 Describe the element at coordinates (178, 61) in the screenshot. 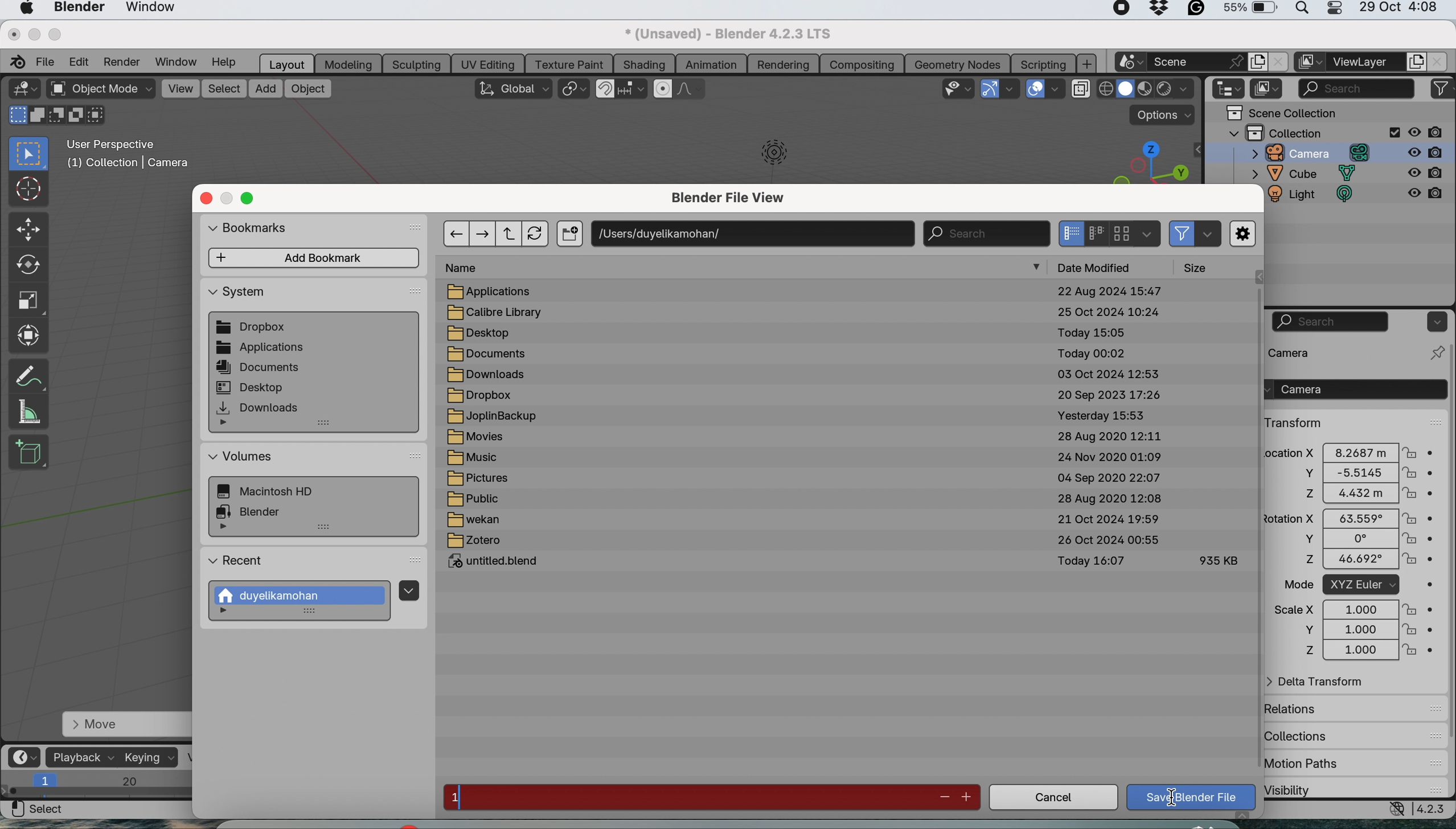

I see `window` at that location.